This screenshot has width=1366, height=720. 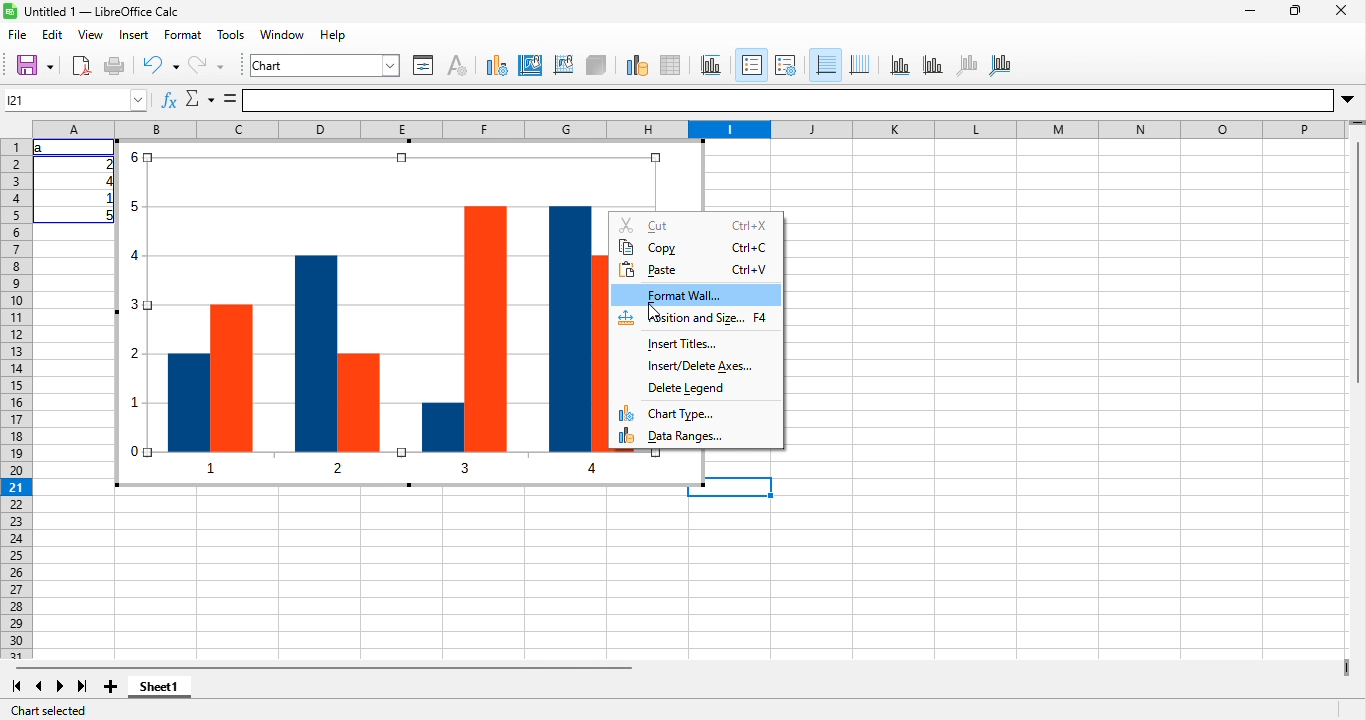 I want to click on data ranges, so click(x=696, y=435).